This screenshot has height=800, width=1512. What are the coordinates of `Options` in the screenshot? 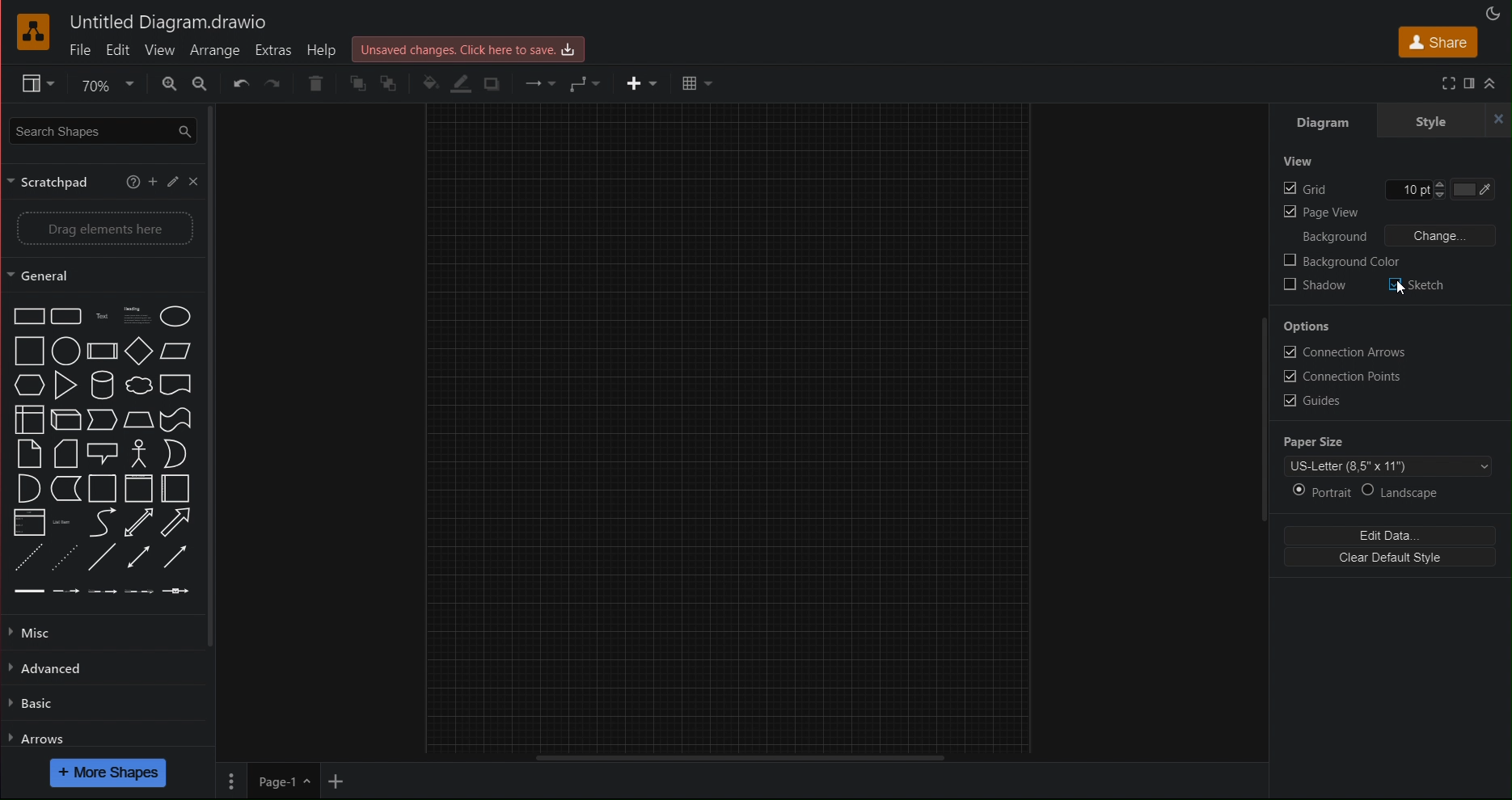 It's located at (1314, 326).